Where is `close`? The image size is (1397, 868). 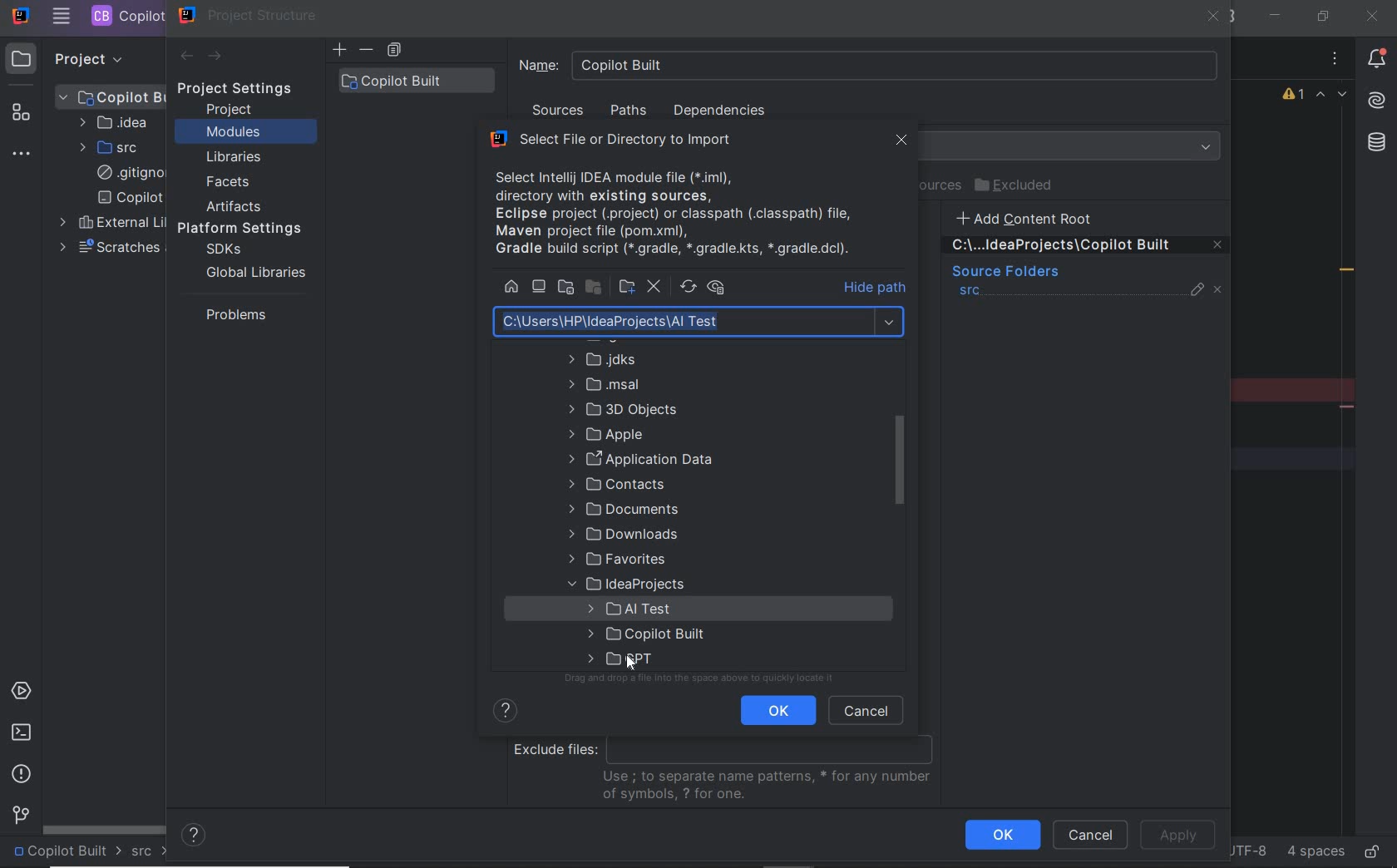 close is located at coordinates (1371, 16).